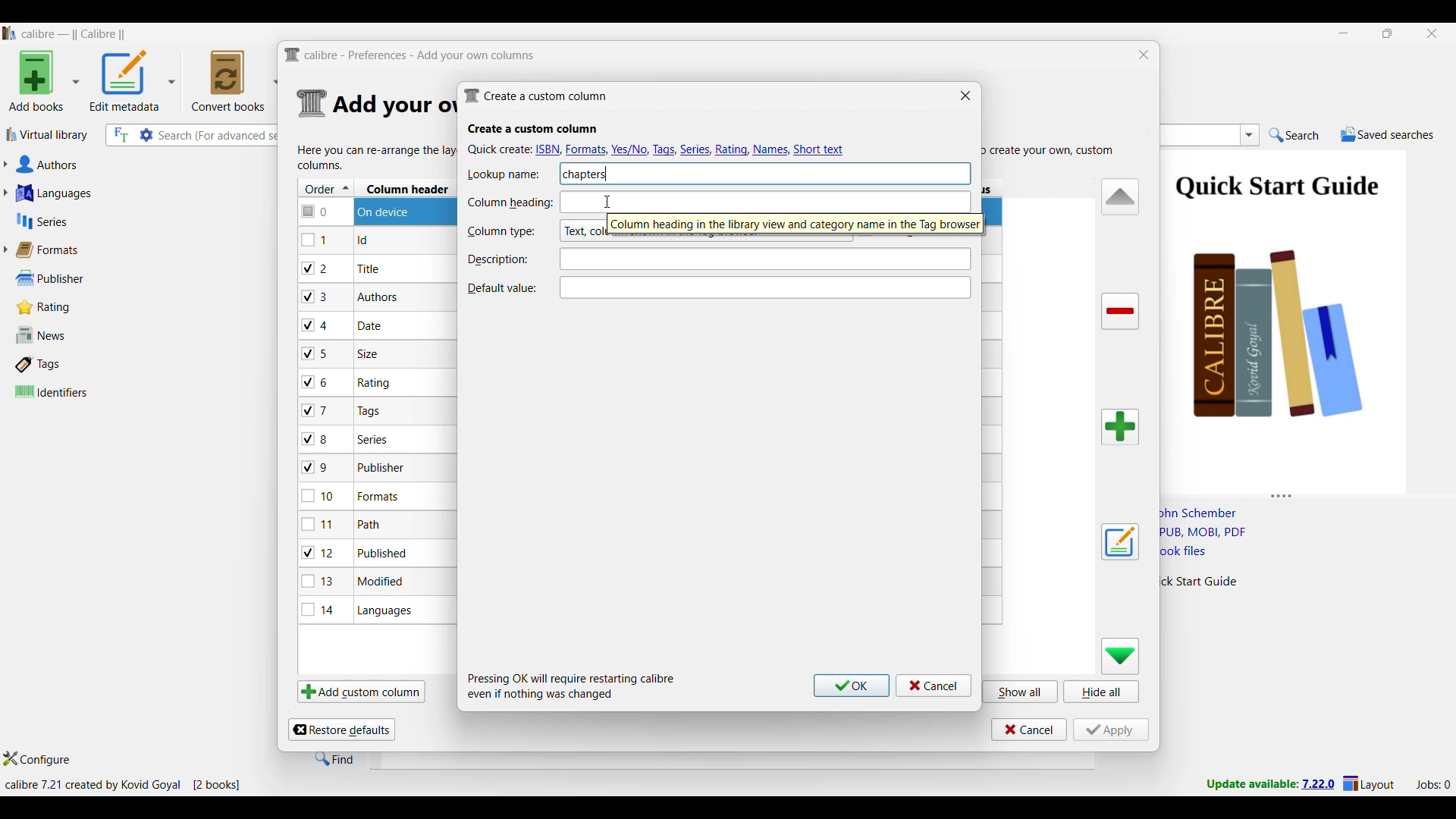 This screenshot has height=819, width=1456. Describe the element at coordinates (1021, 691) in the screenshot. I see `Show all` at that location.